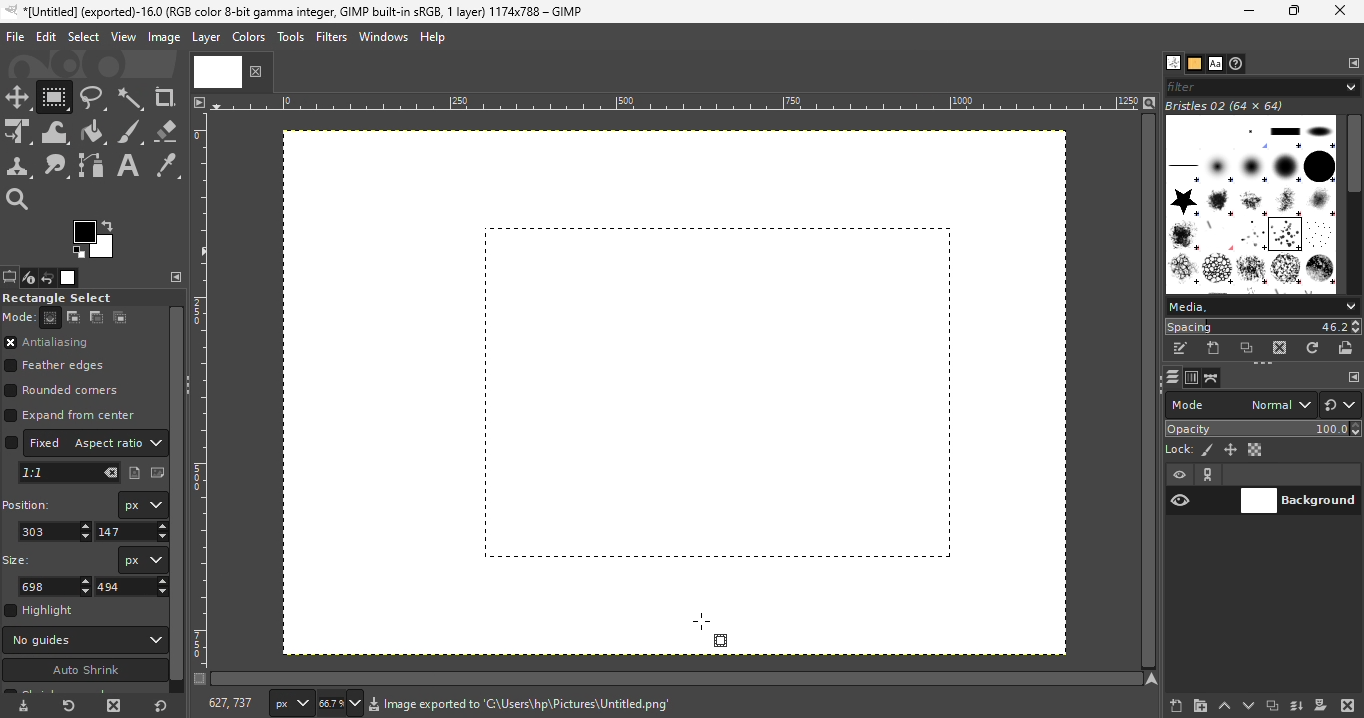 The image size is (1364, 718). I want to click on Grid, so click(706, 399).